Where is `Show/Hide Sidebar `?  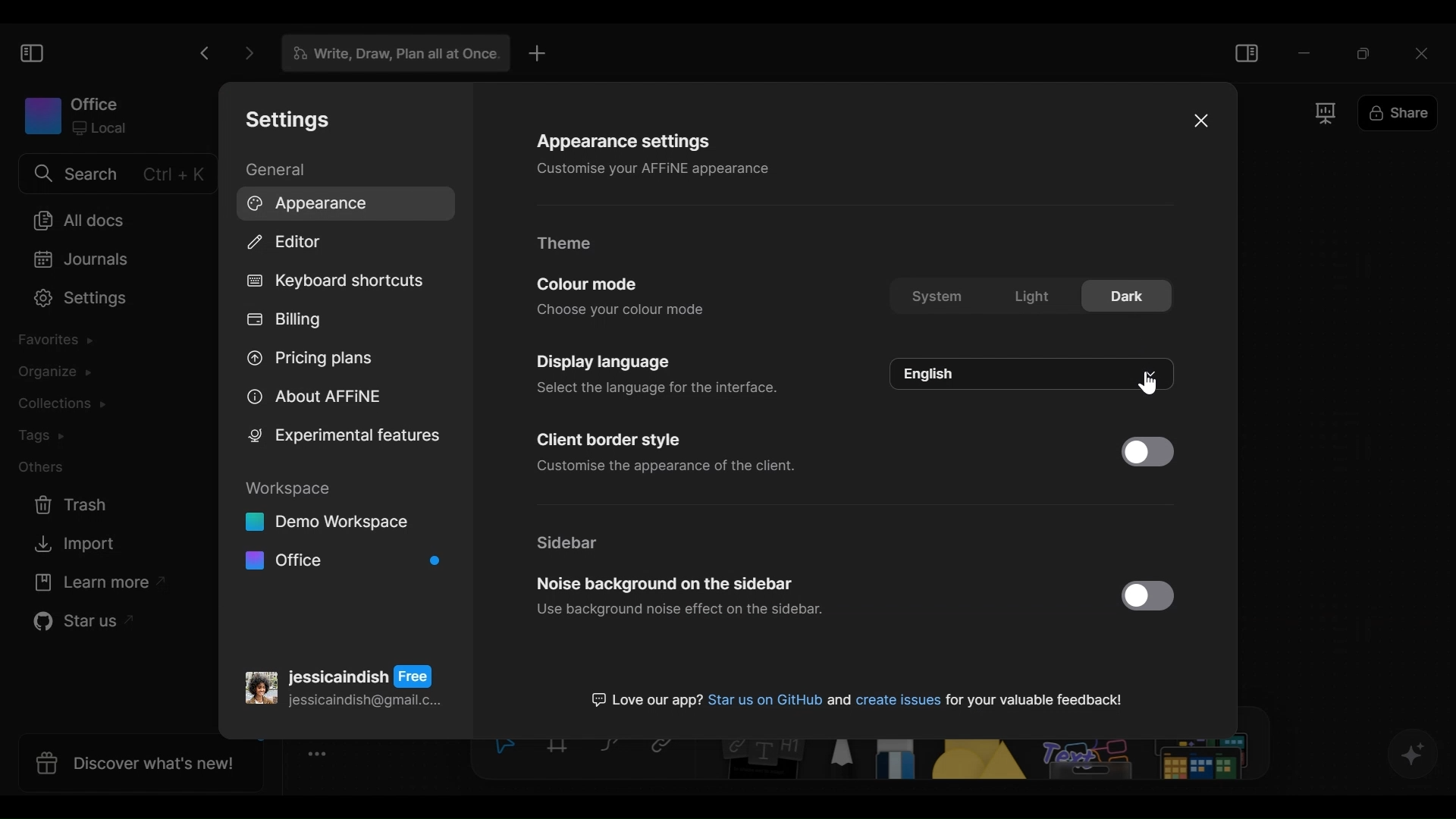
Show/Hide Sidebar  is located at coordinates (1248, 51).